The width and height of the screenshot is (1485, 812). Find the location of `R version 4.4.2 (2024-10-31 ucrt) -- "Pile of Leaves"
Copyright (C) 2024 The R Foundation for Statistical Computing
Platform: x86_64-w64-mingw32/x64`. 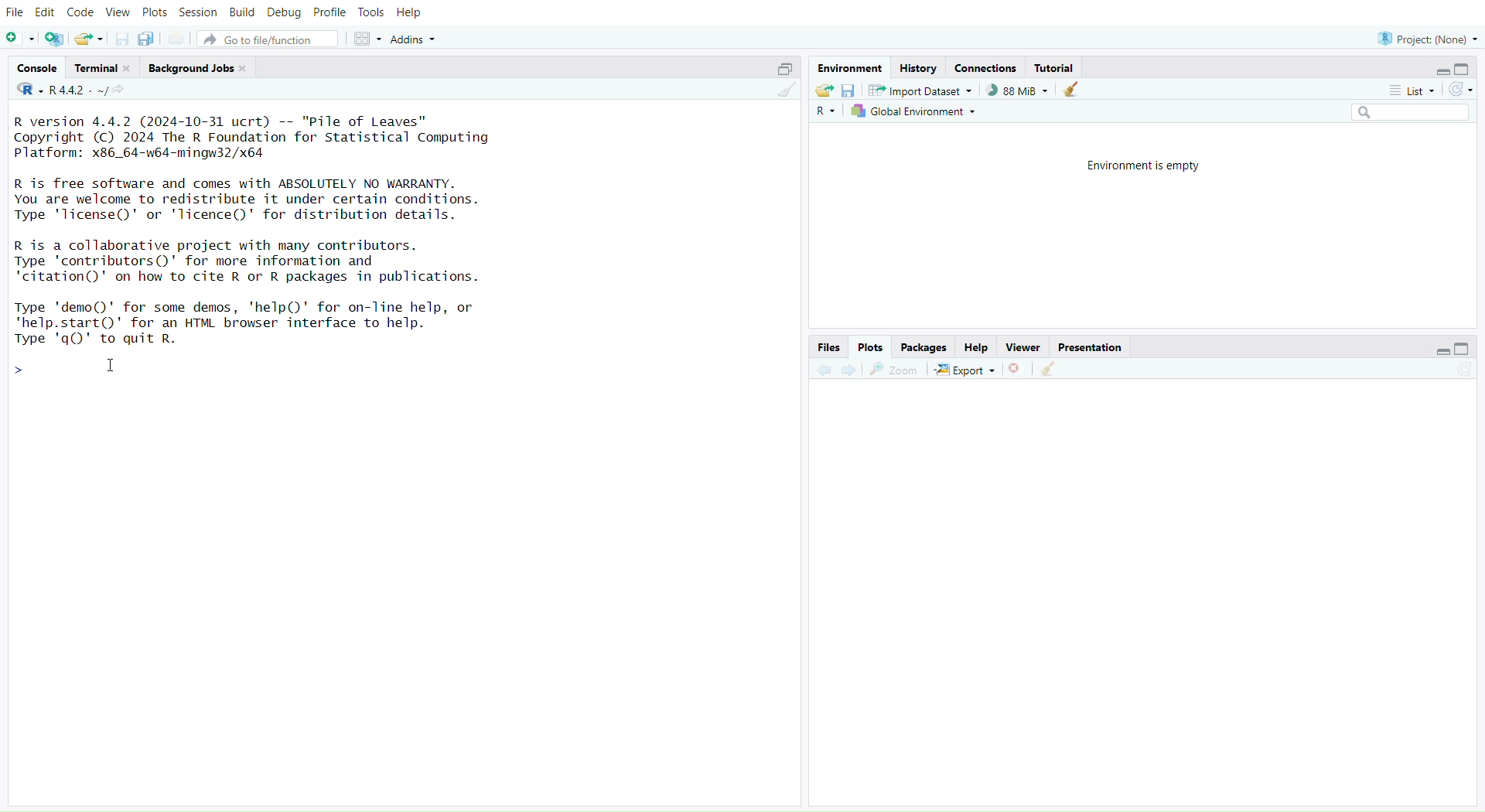

R version 4.4.2 (2024-10-31 ucrt) -- "Pile of Leaves"
Copyright (C) 2024 The R Foundation for Statistical Computing
Platform: x86_64-w64-mingw32/x64 is located at coordinates (267, 138).